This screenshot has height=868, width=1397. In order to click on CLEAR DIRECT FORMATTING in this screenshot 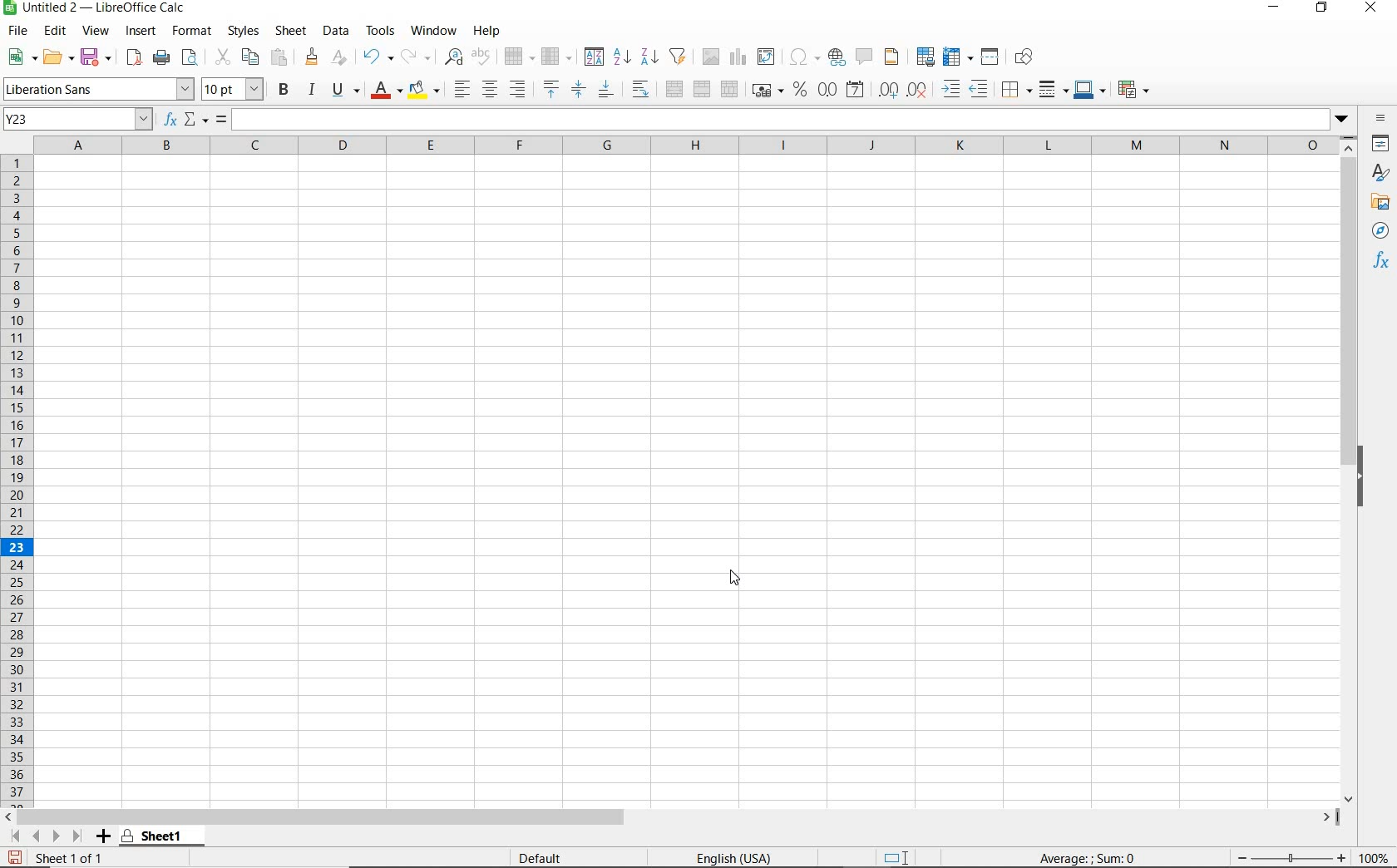, I will do `click(341, 56)`.